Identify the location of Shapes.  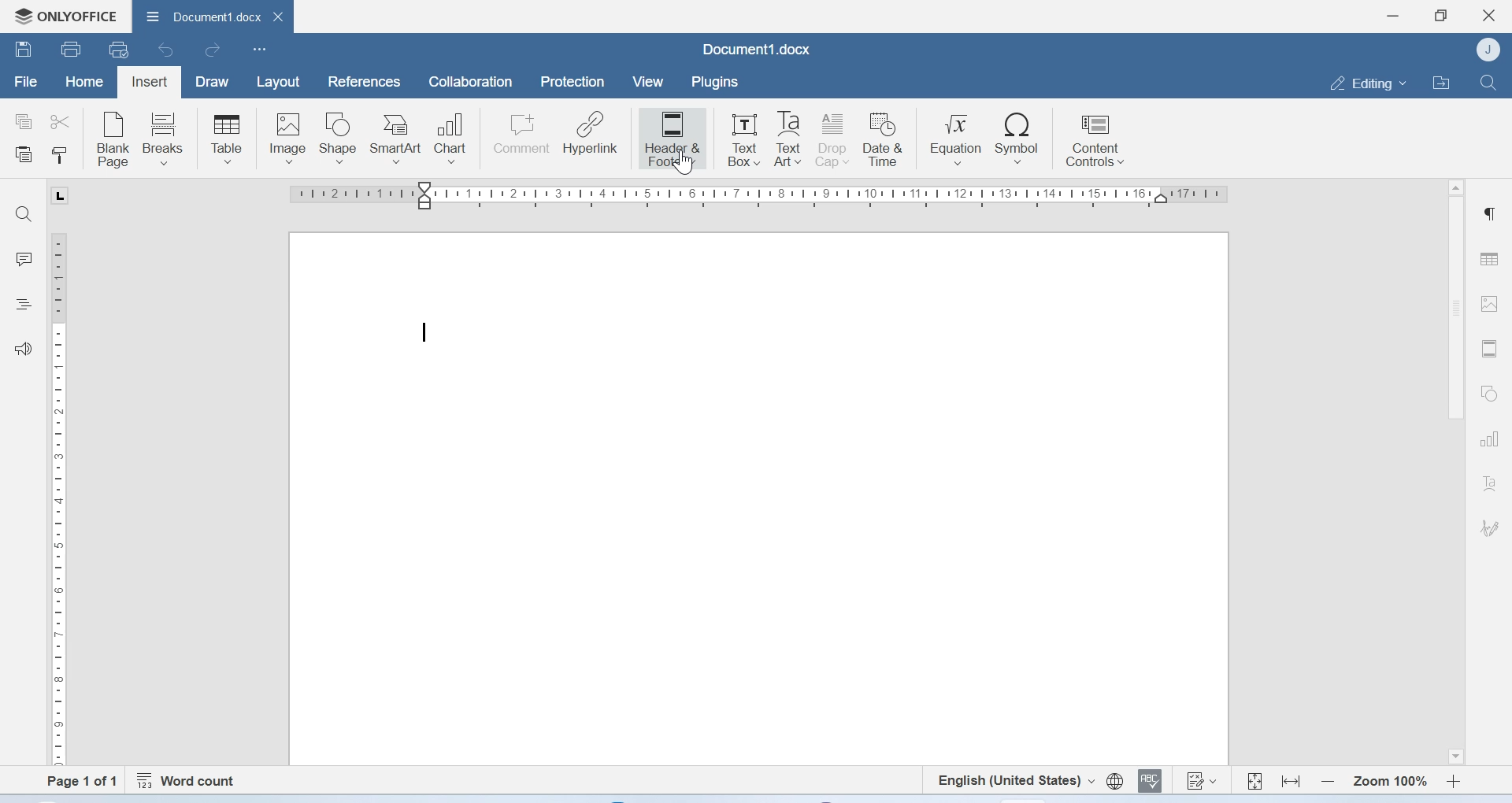
(1488, 394).